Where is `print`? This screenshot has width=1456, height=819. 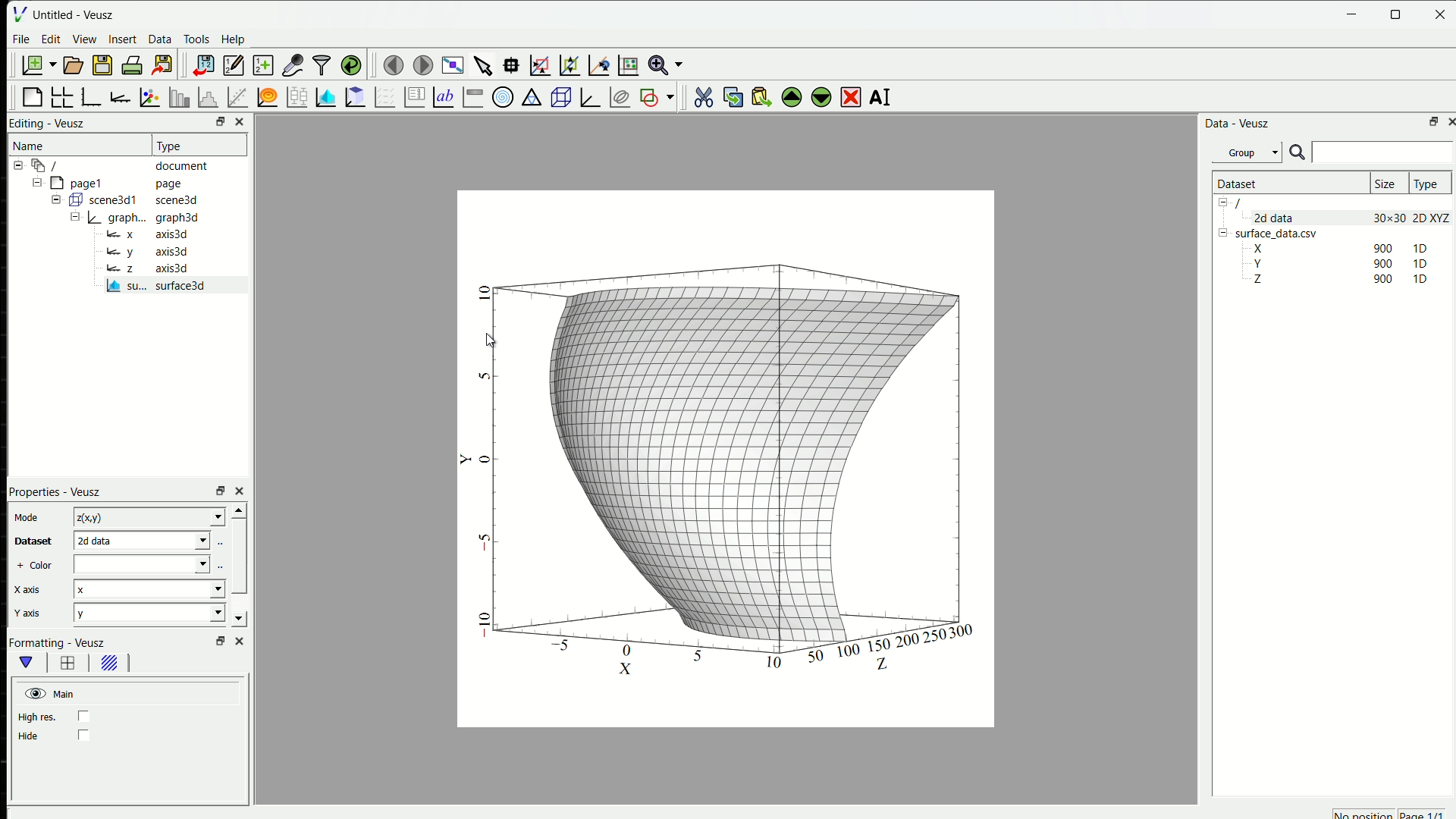
print is located at coordinates (132, 64).